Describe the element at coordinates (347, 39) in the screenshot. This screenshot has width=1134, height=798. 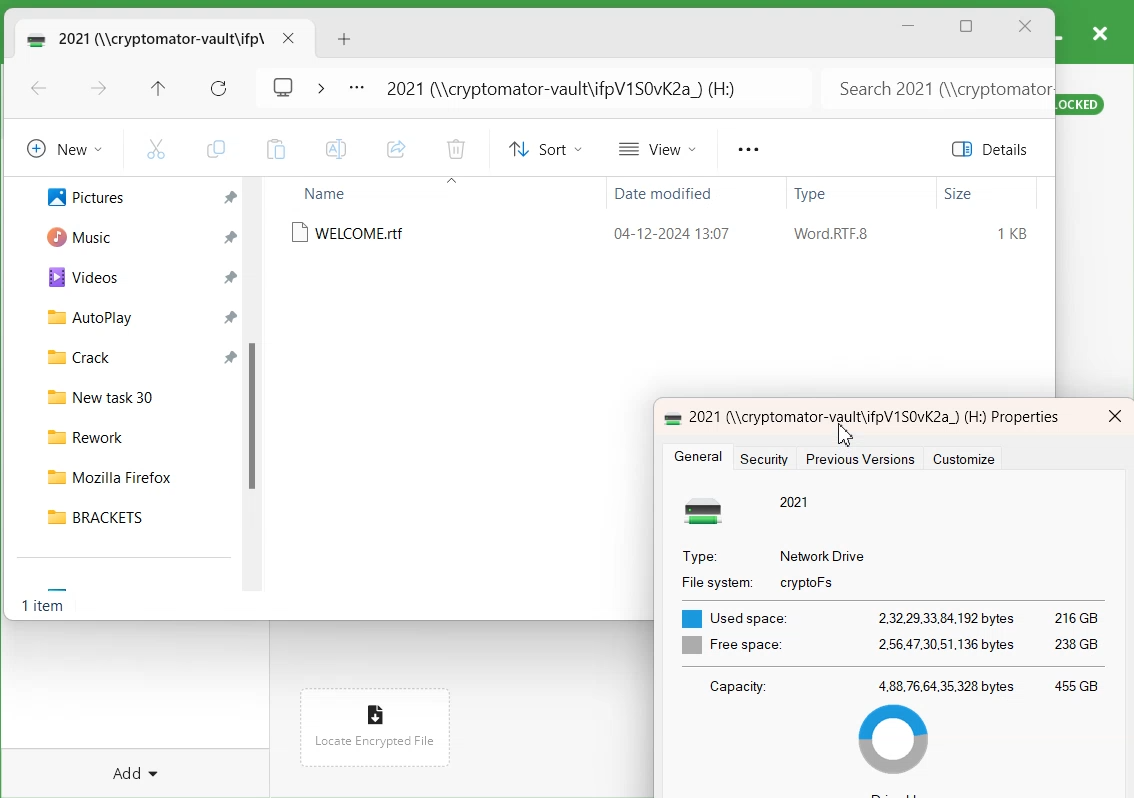
I see `Add new Tab` at that location.